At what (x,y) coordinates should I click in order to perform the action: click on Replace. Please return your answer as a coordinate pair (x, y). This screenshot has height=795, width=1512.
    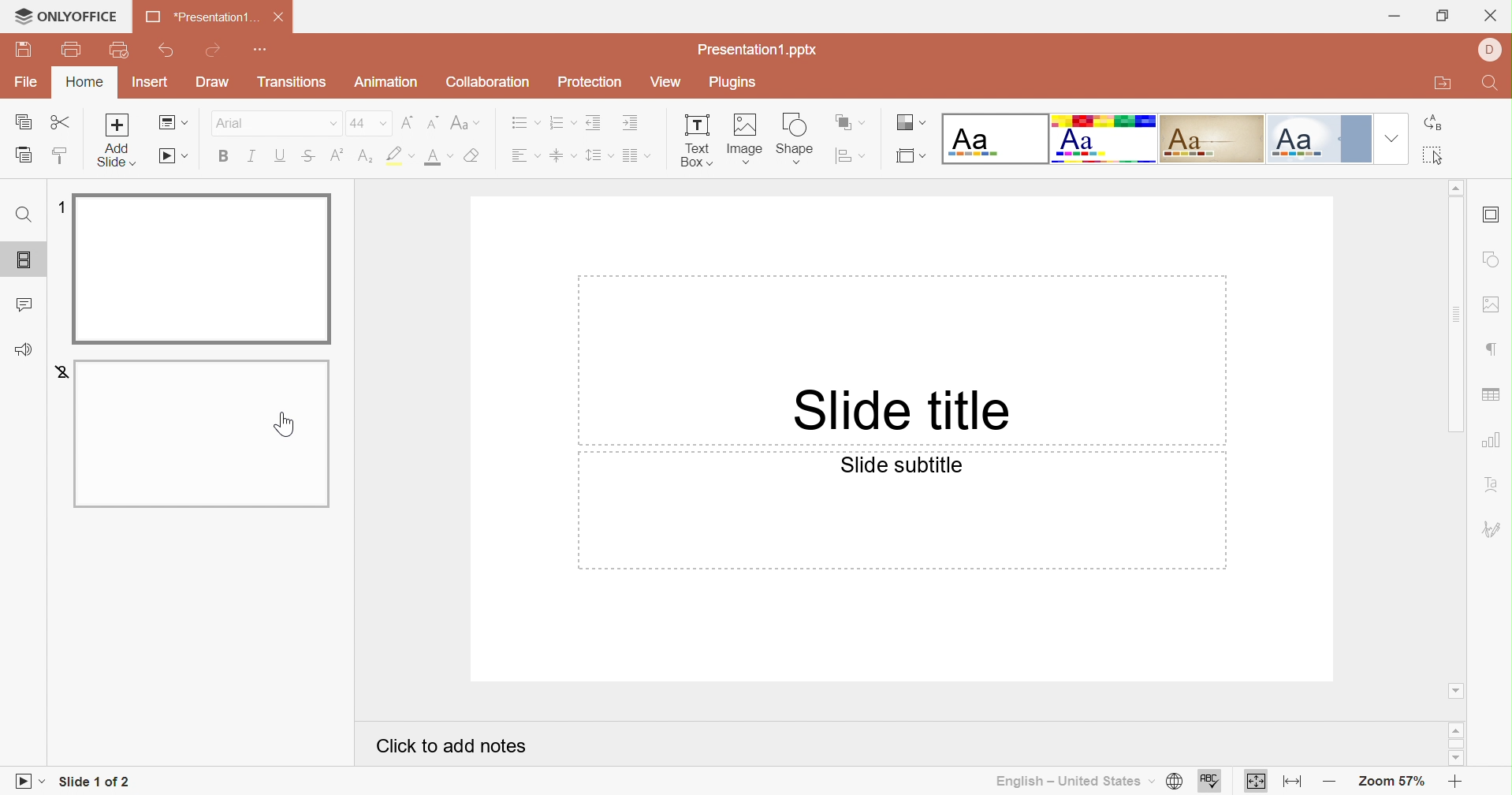
    Looking at the image, I should click on (1431, 123).